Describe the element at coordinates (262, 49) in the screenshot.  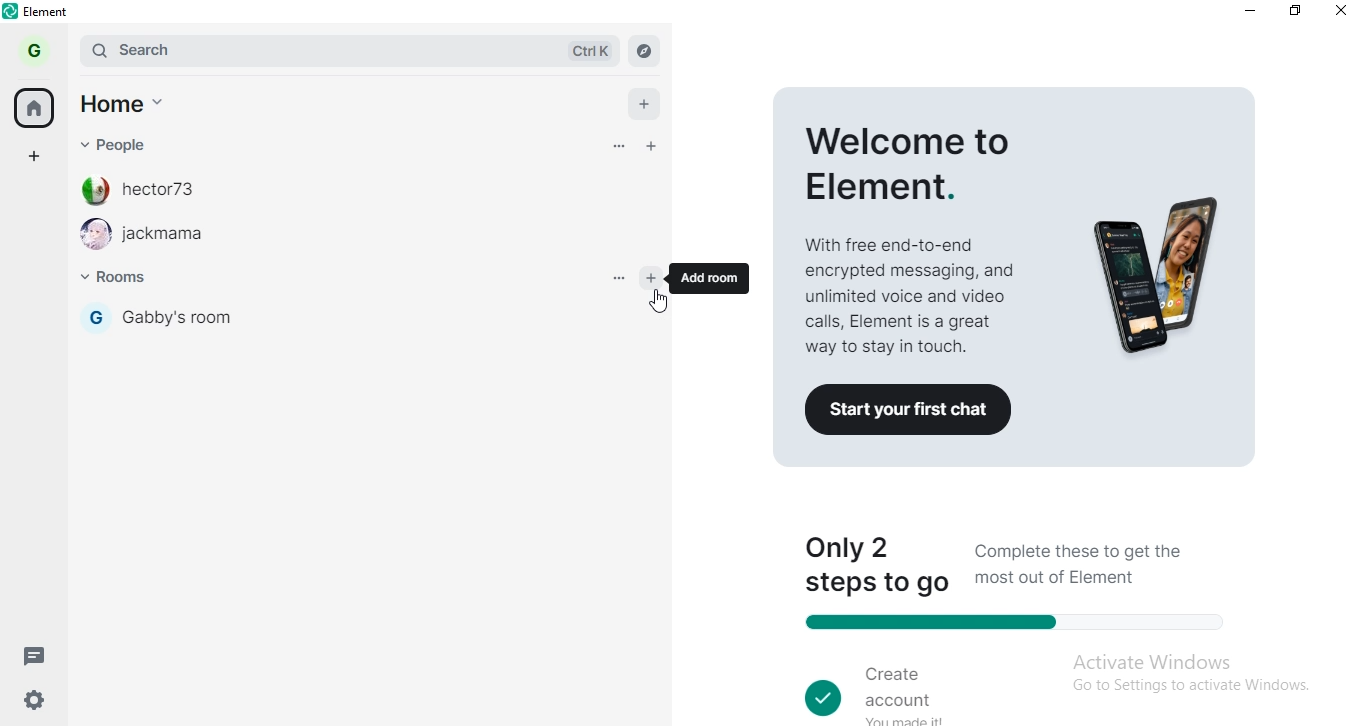
I see `search` at that location.